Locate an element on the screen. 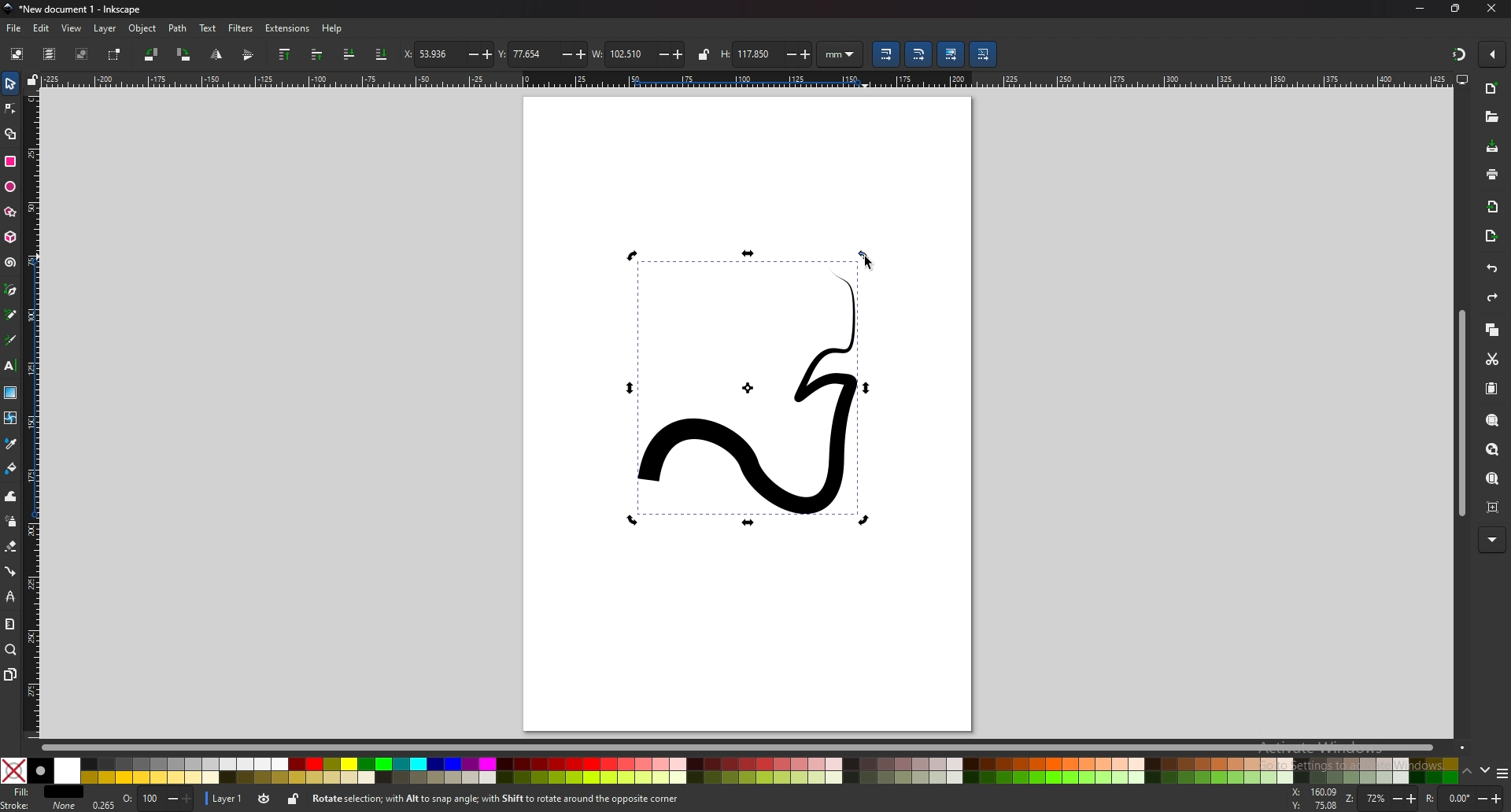 This screenshot has width=1511, height=812. more colors is located at coordinates (1502, 773).